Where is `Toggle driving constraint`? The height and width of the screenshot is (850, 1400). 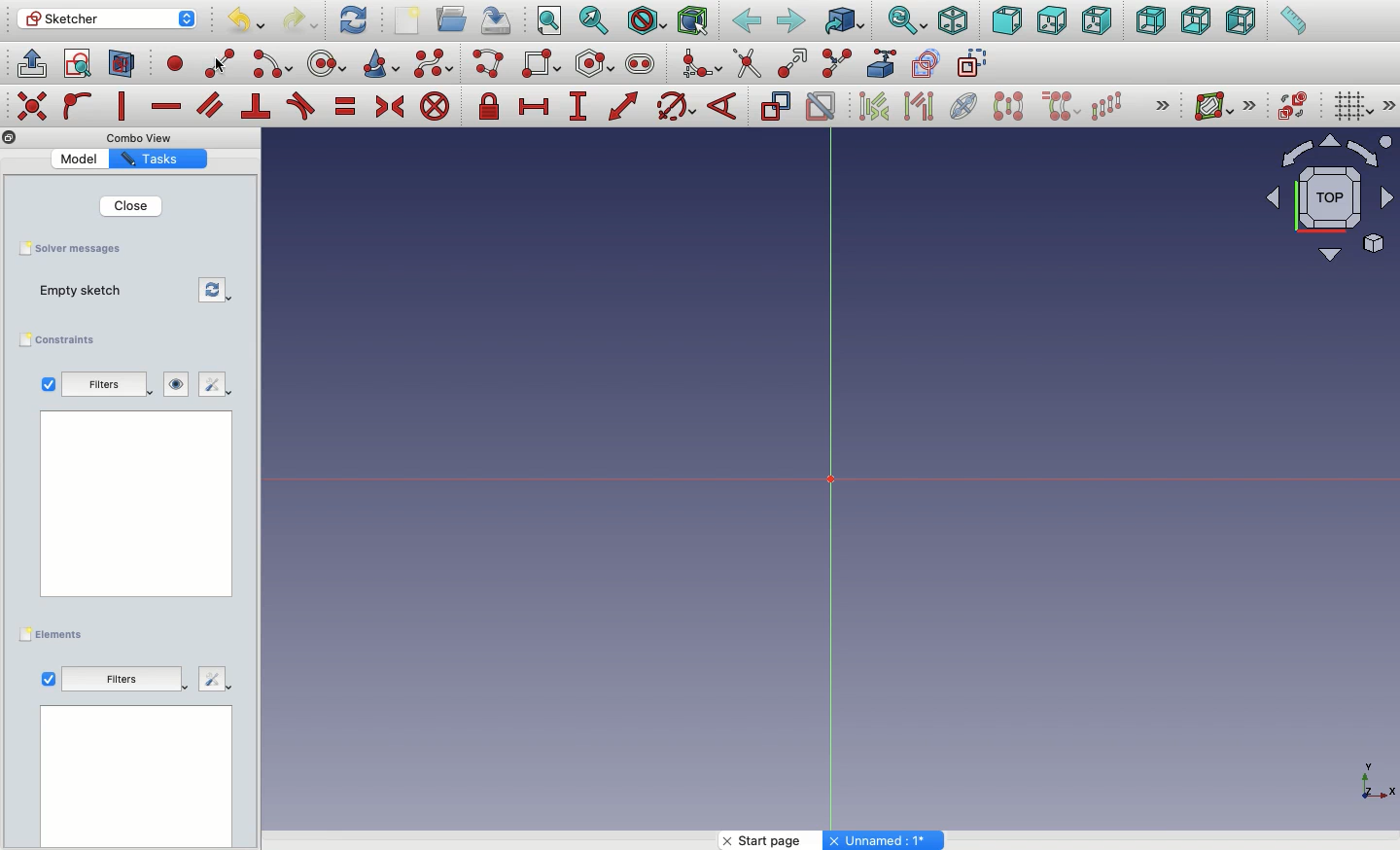 Toggle driving constraint is located at coordinates (775, 106).